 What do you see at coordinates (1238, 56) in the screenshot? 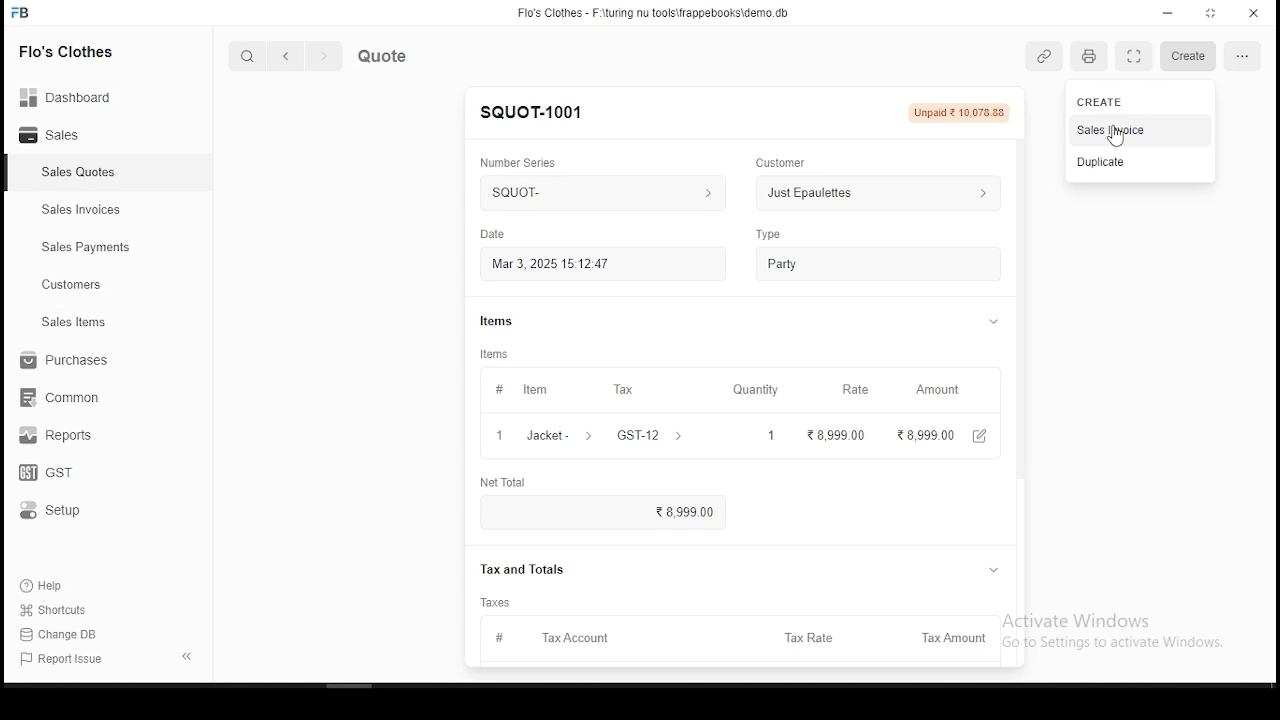
I see `setting` at bounding box center [1238, 56].